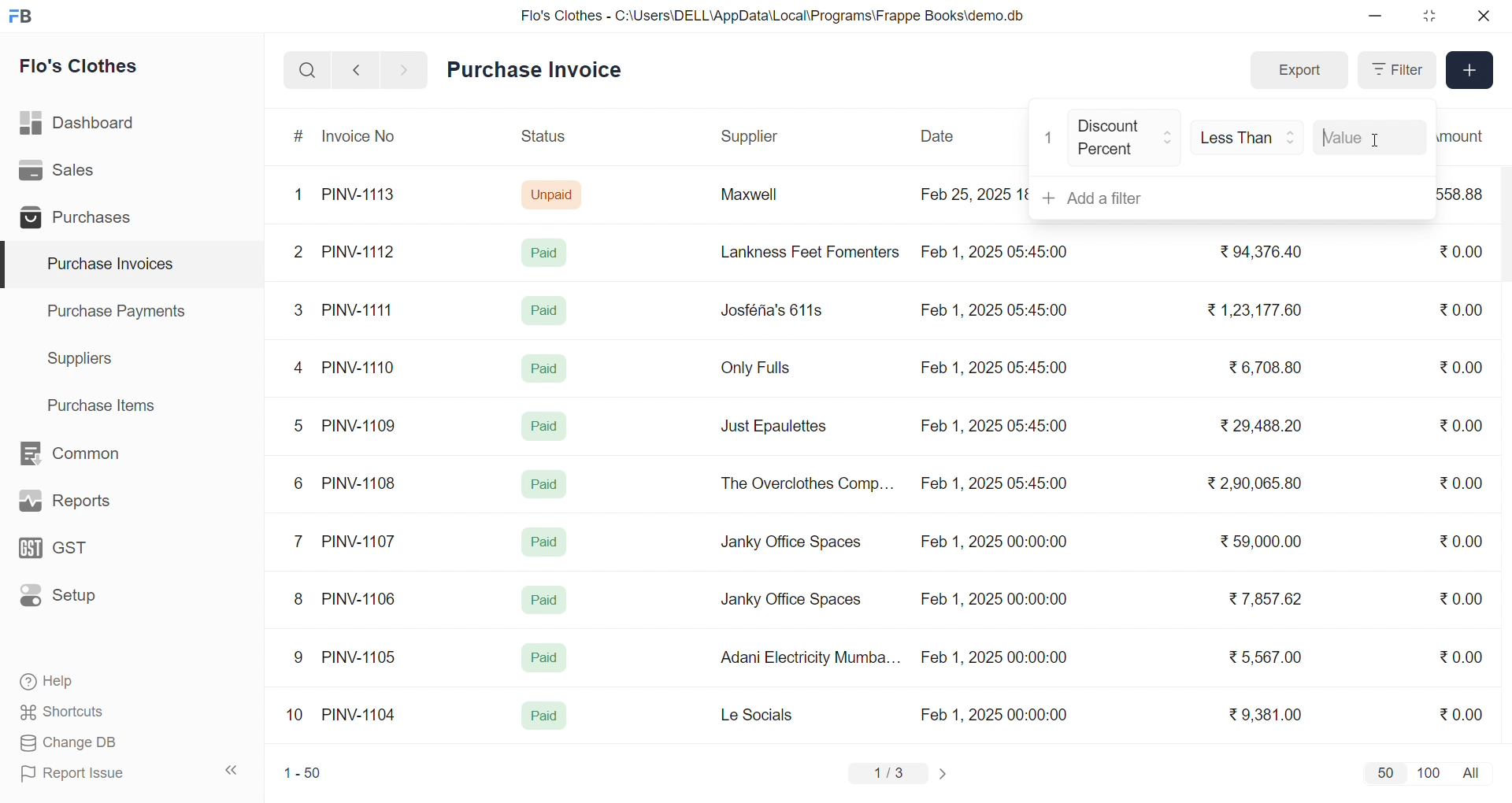 The height and width of the screenshot is (803, 1512). Describe the element at coordinates (1228, 198) in the screenshot. I see `+ Add a filter` at that location.